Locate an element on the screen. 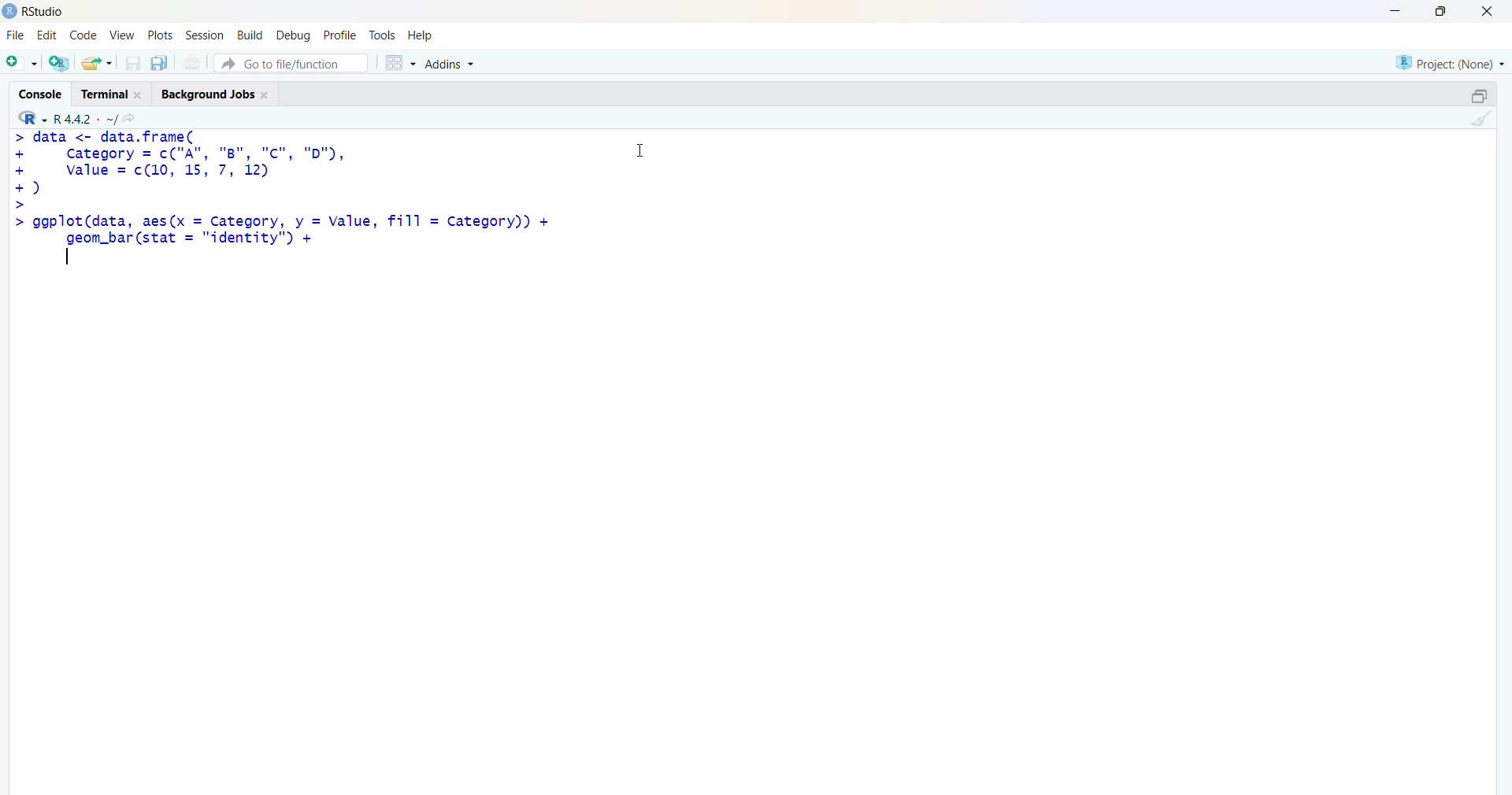  maximize is located at coordinates (1479, 96).